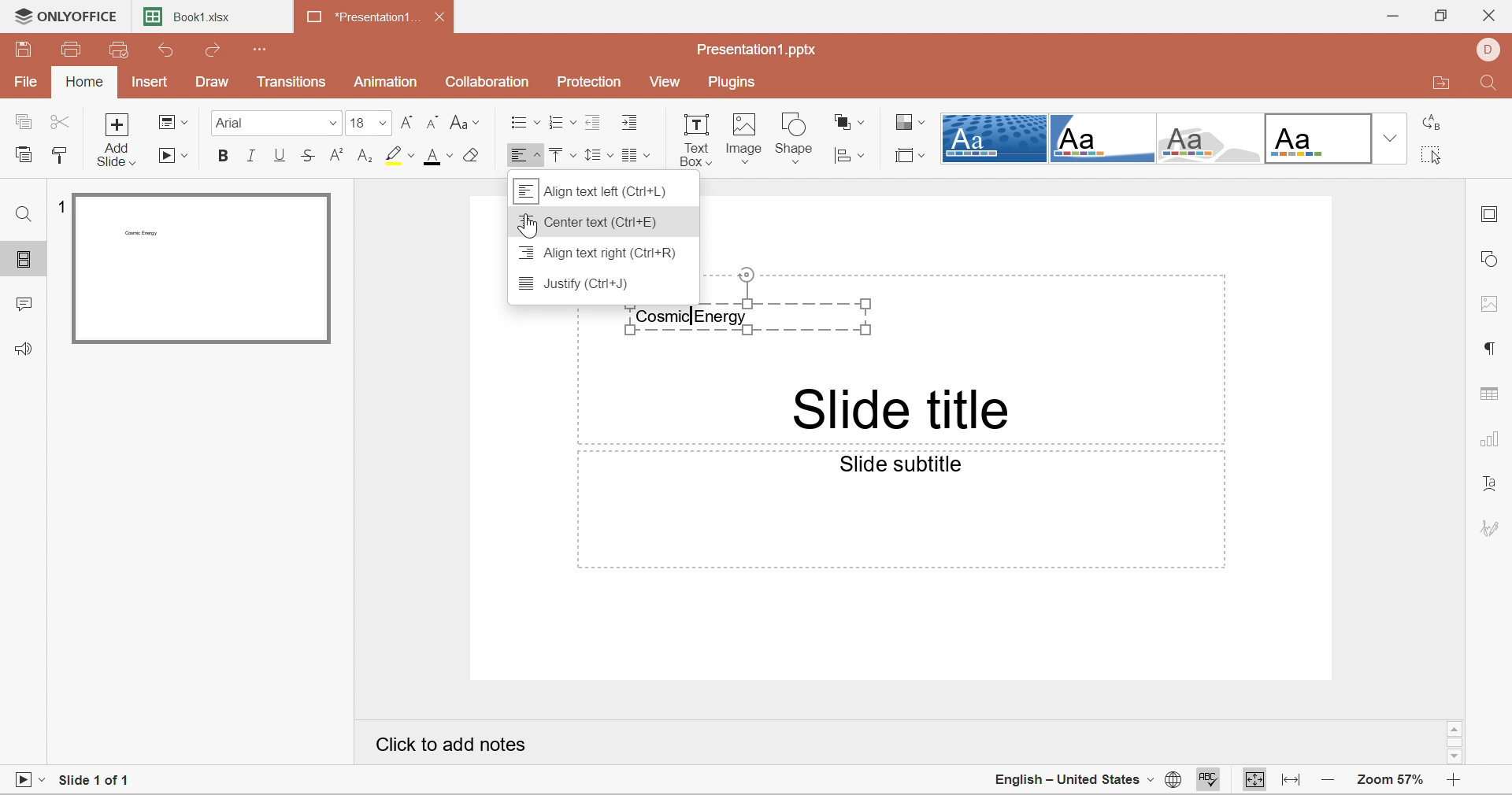  What do you see at coordinates (219, 52) in the screenshot?
I see `Redo` at bounding box center [219, 52].